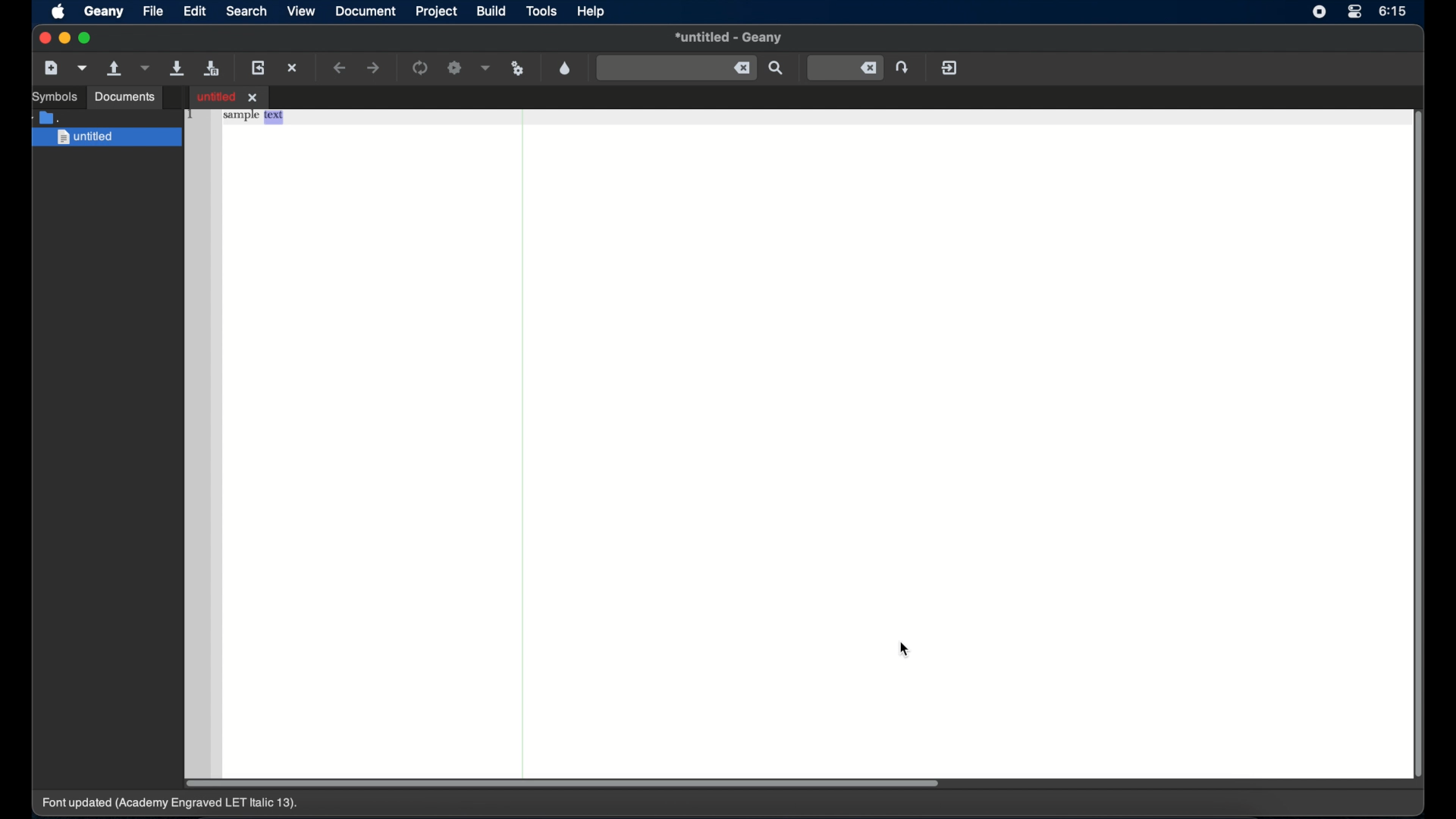  What do you see at coordinates (729, 39) in the screenshot?
I see `untitled` at bounding box center [729, 39].